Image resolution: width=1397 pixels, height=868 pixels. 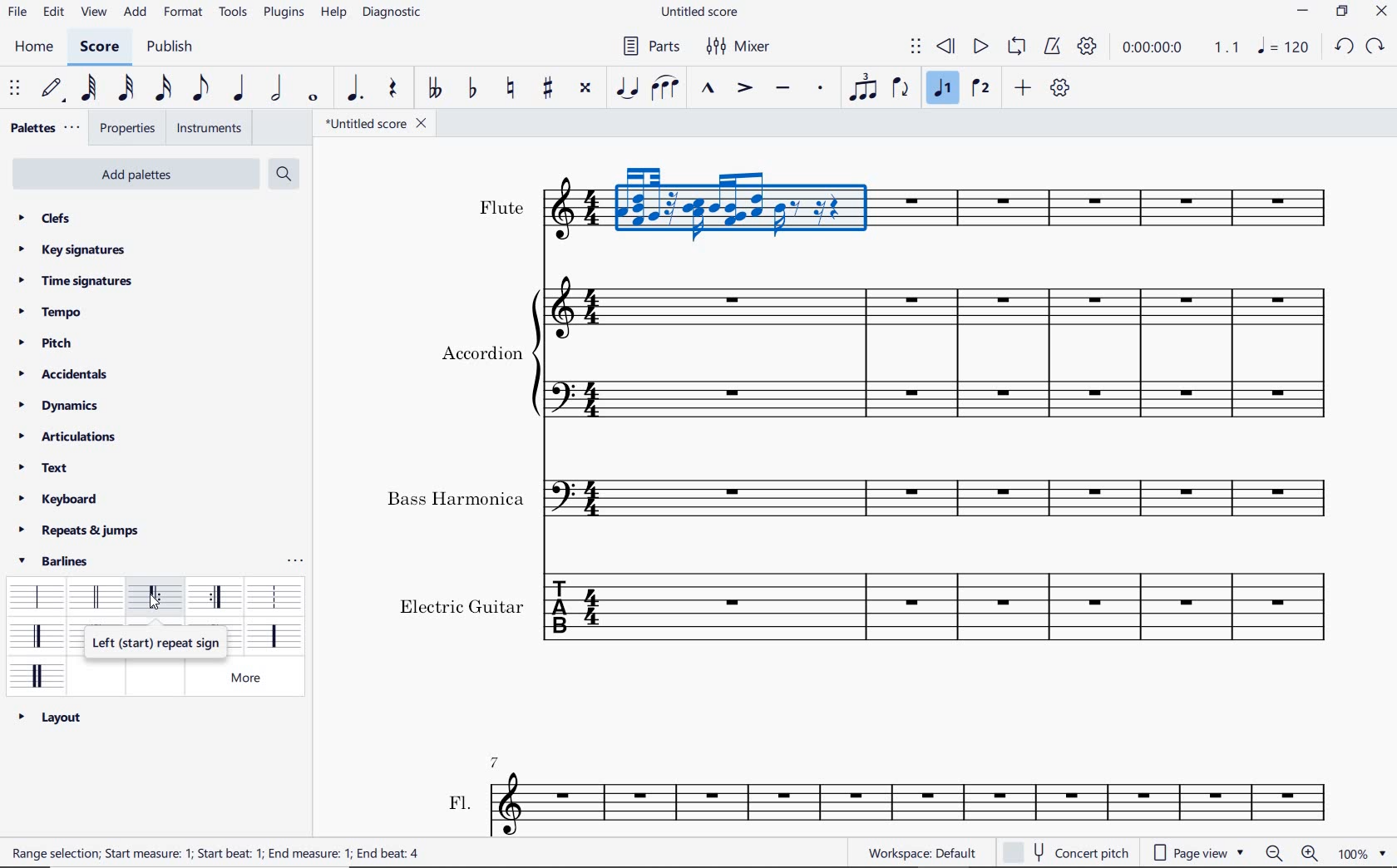 What do you see at coordinates (864, 89) in the screenshot?
I see `tuplet` at bounding box center [864, 89].